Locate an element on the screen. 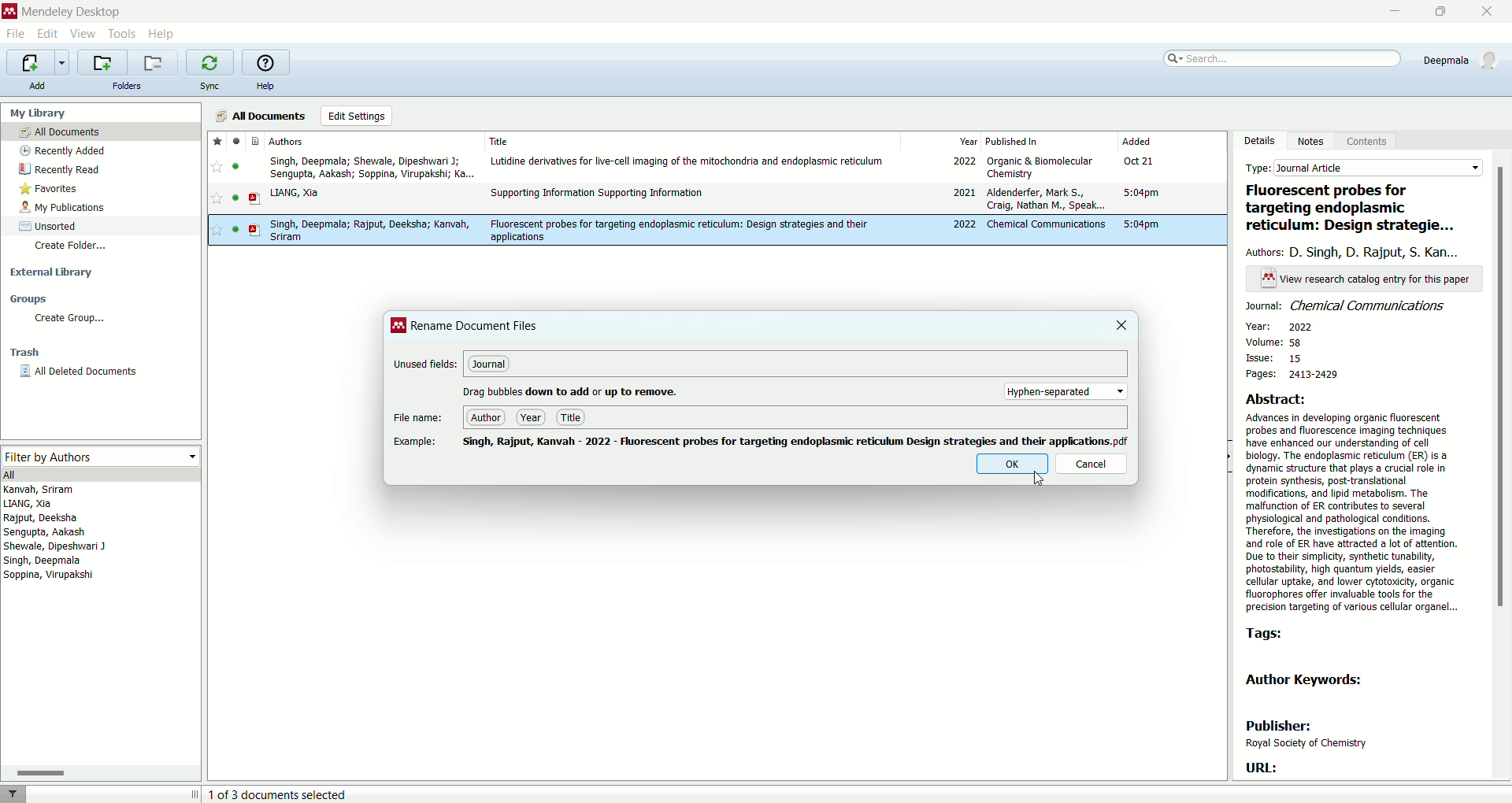  text is located at coordinates (1367, 278).